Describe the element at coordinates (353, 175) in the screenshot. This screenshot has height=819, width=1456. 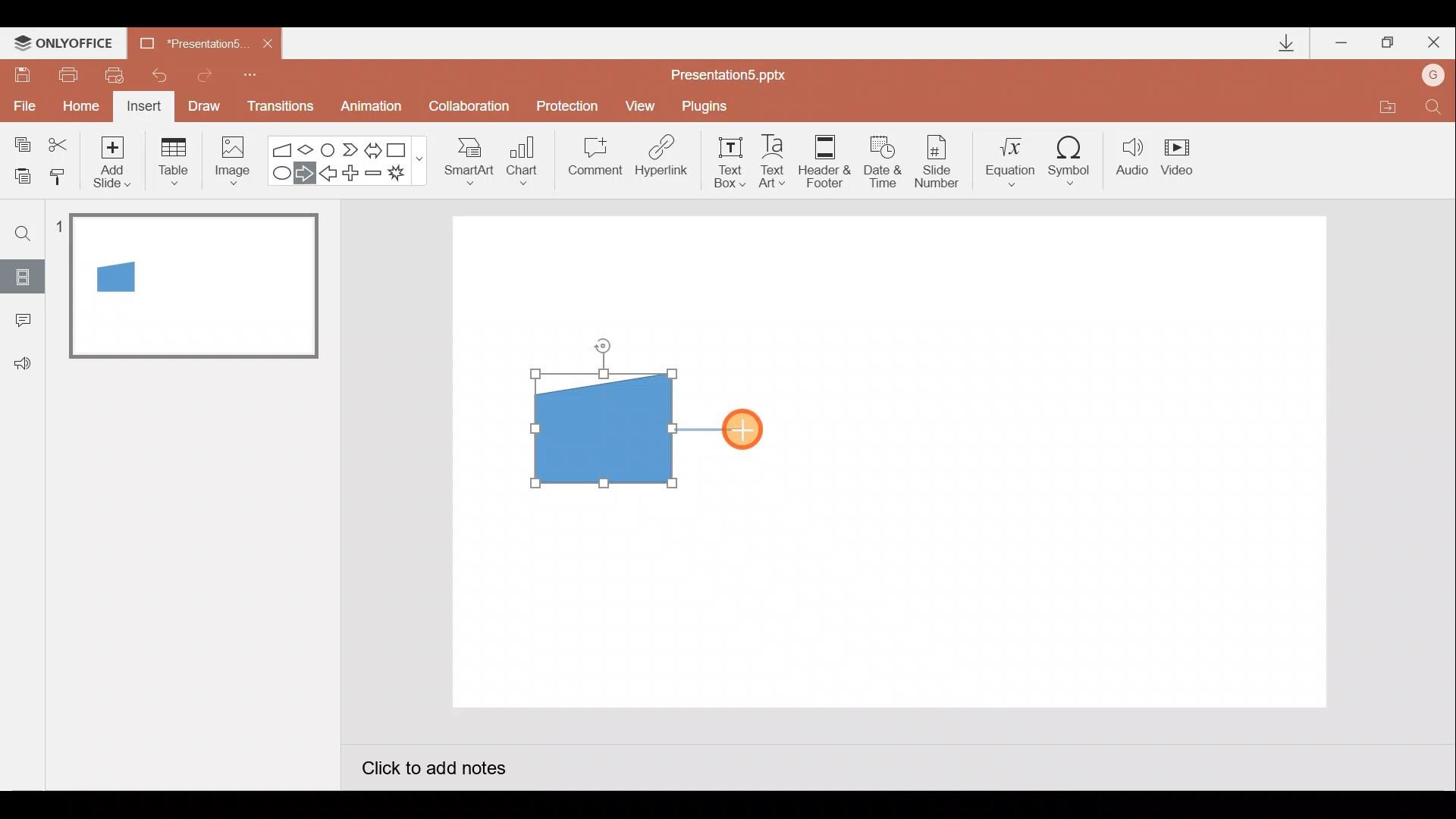
I see `Plus` at that location.